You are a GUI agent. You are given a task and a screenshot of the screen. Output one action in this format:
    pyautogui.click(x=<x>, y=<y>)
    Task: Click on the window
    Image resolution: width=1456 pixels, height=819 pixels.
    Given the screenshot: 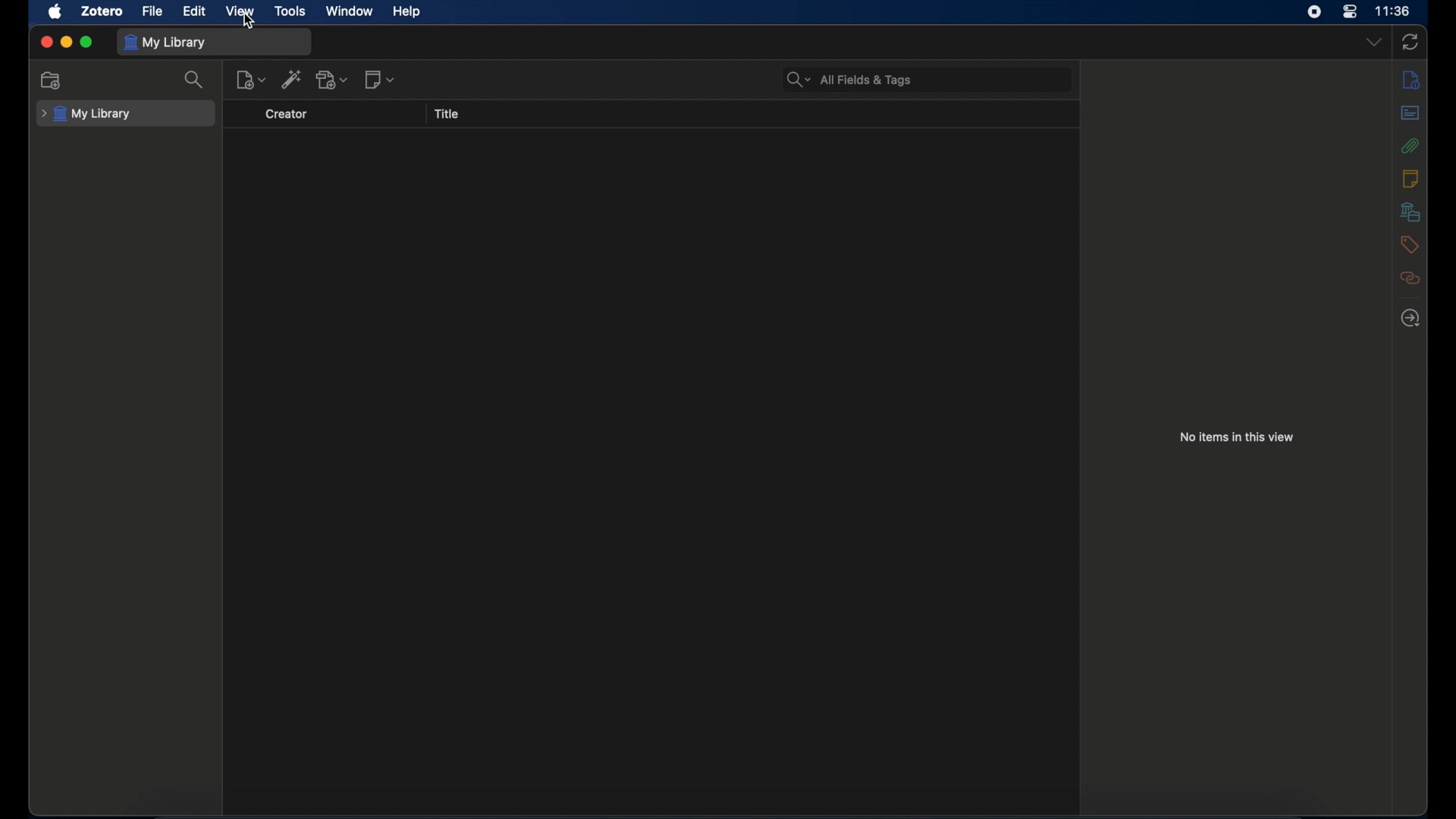 What is the action you would take?
    pyautogui.click(x=351, y=11)
    